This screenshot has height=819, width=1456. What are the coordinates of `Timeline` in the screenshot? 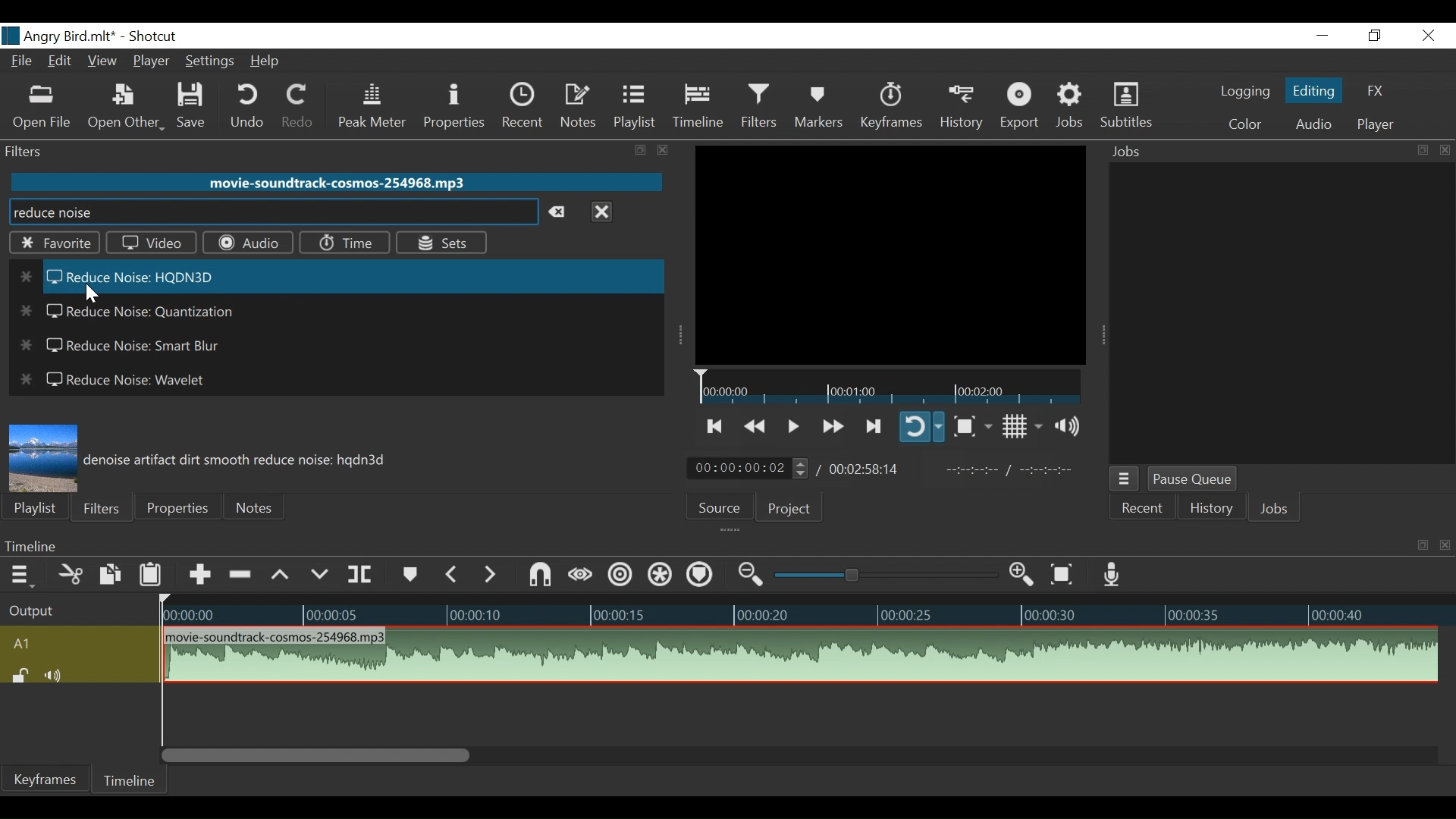 It's located at (802, 610).